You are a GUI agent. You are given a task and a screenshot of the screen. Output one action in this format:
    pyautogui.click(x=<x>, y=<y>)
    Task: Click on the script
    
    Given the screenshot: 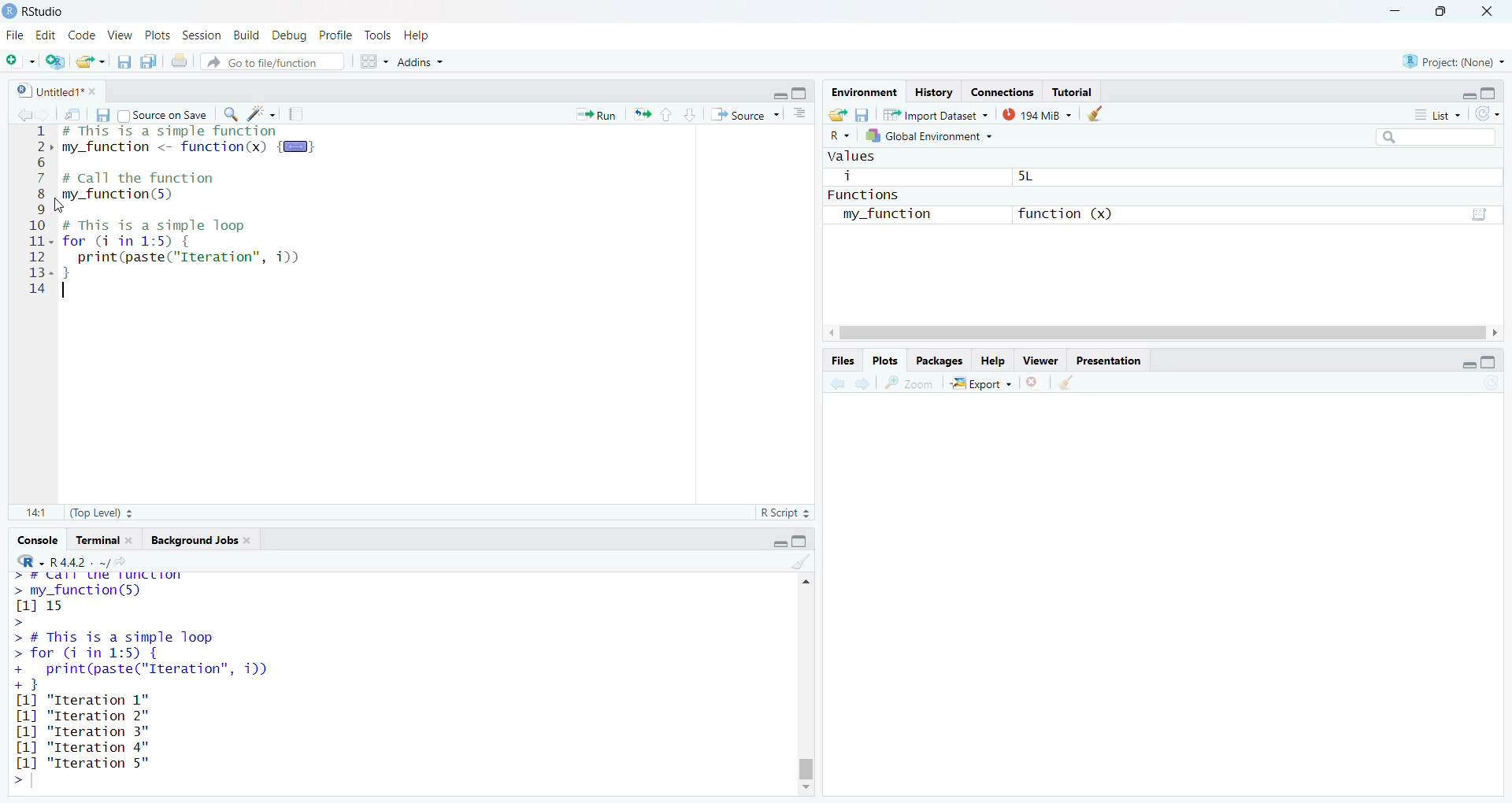 What is the action you would take?
    pyautogui.click(x=1482, y=212)
    